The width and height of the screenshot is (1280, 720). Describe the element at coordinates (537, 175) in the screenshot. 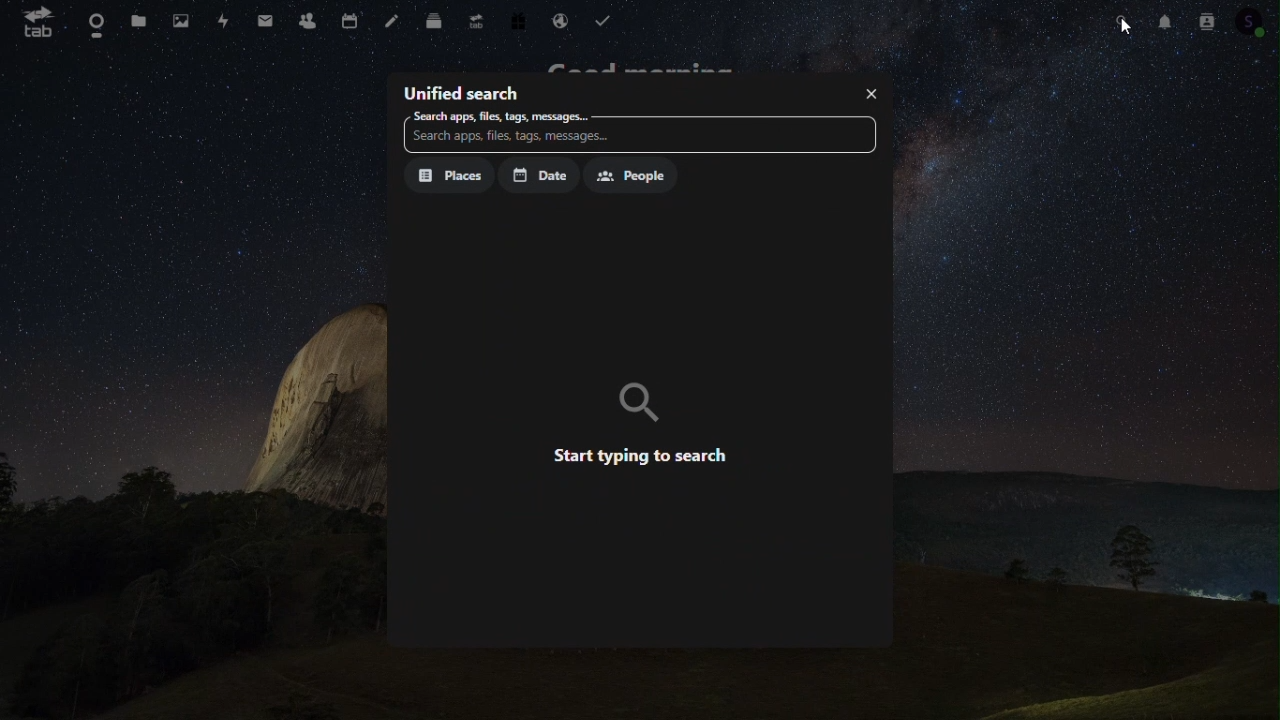

I see `Date` at that location.